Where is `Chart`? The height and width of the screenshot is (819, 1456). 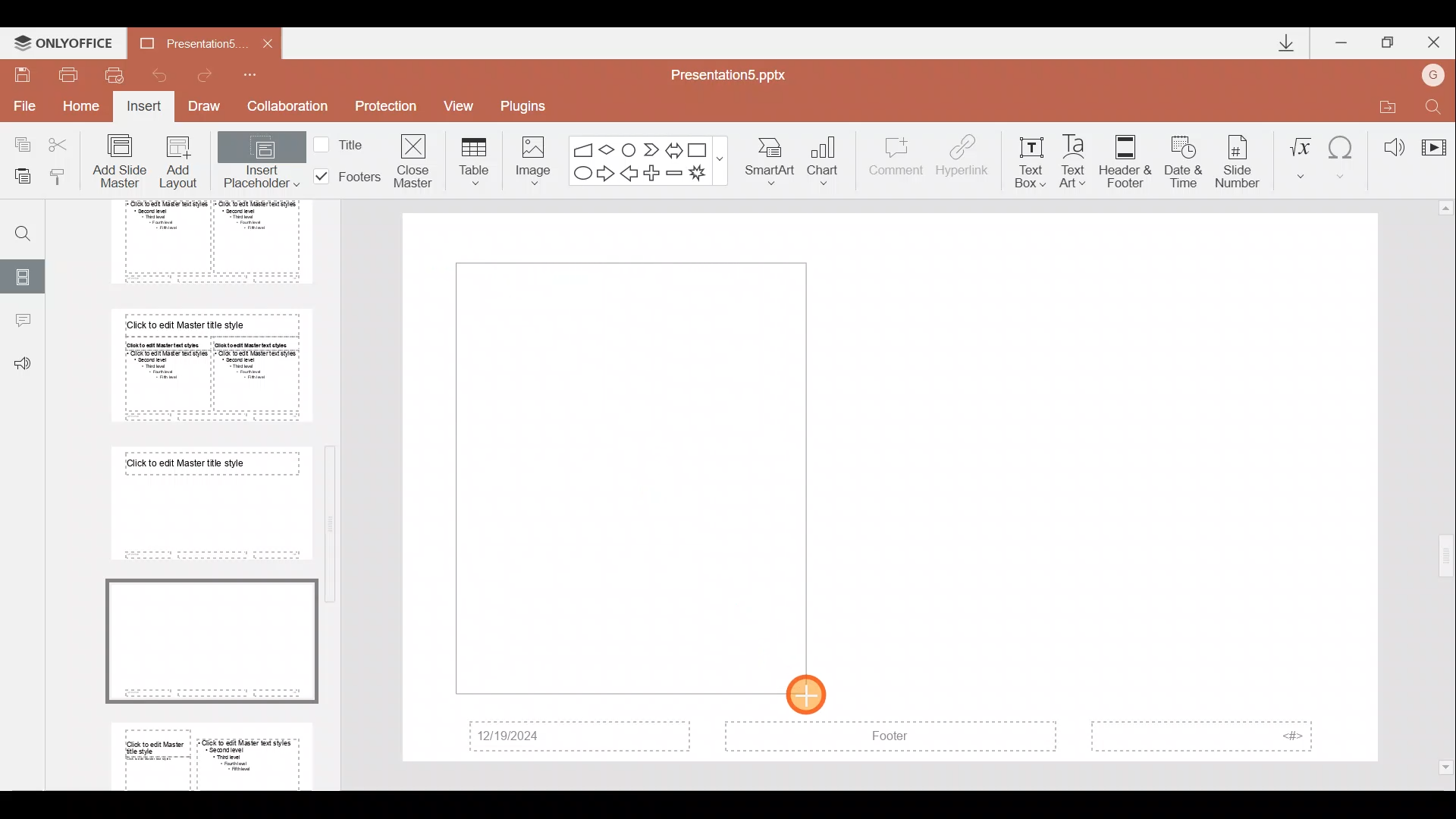
Chart is located at coordinates (833, 162).